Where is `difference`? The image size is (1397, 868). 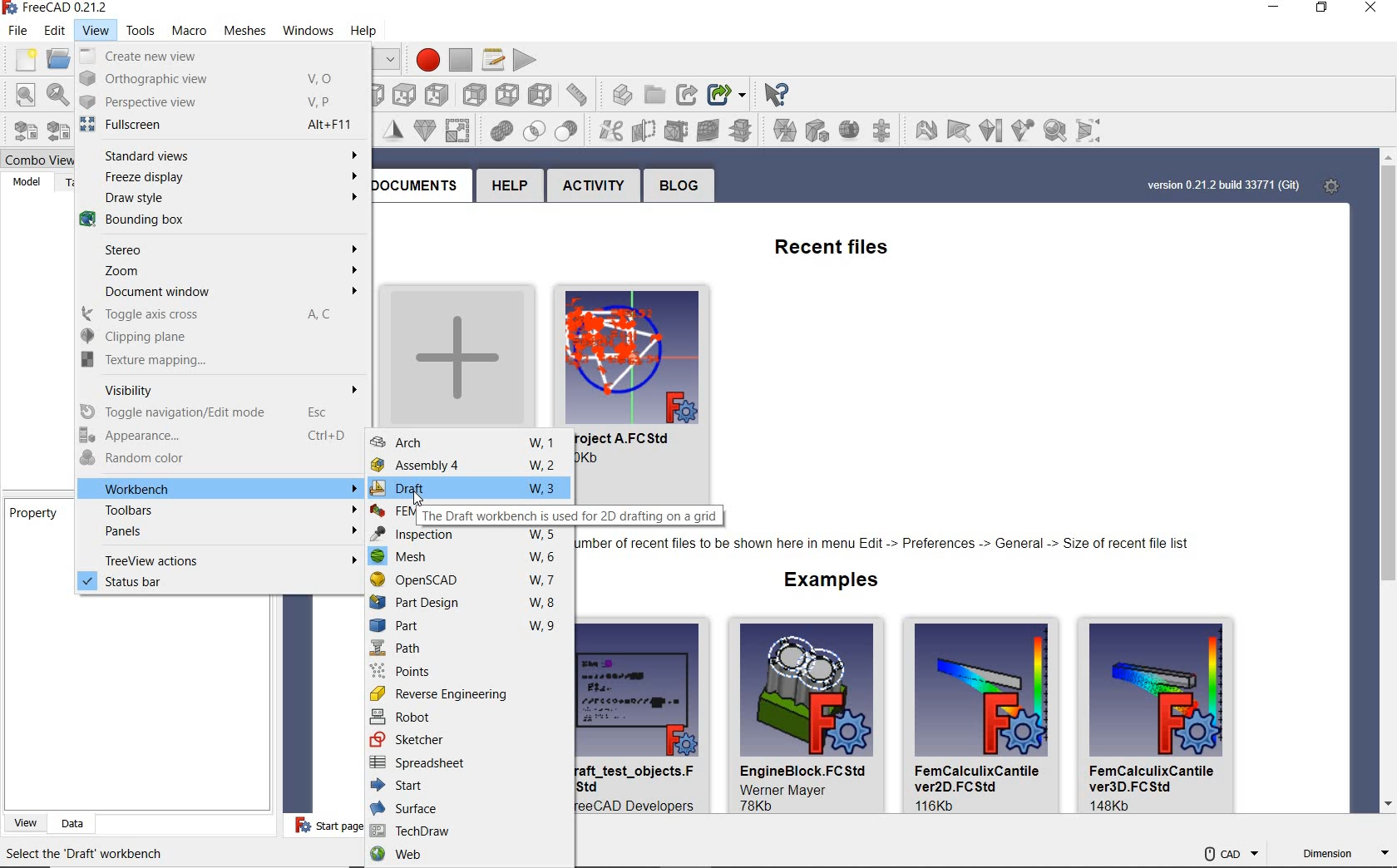
difference is located at coordinates (537, 131).